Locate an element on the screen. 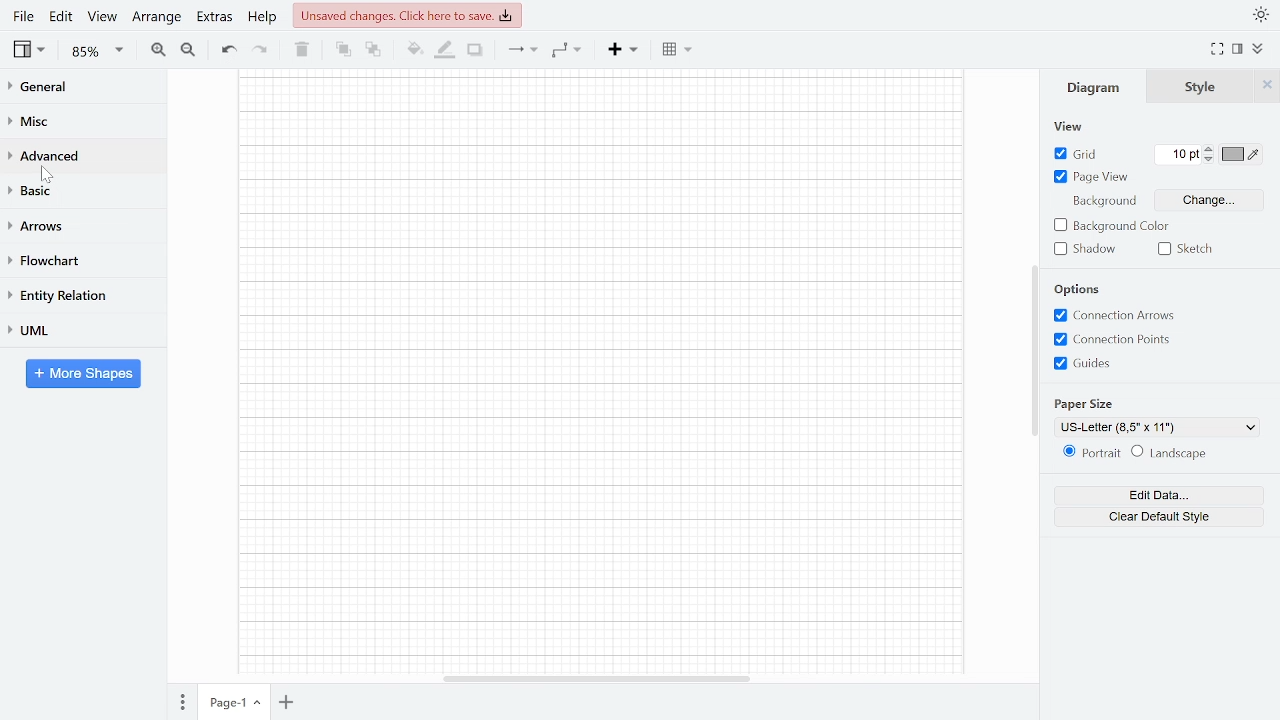 This screenshot has width=1280, height=720. 10 GRid pt is located at coordinates (1182, 154).